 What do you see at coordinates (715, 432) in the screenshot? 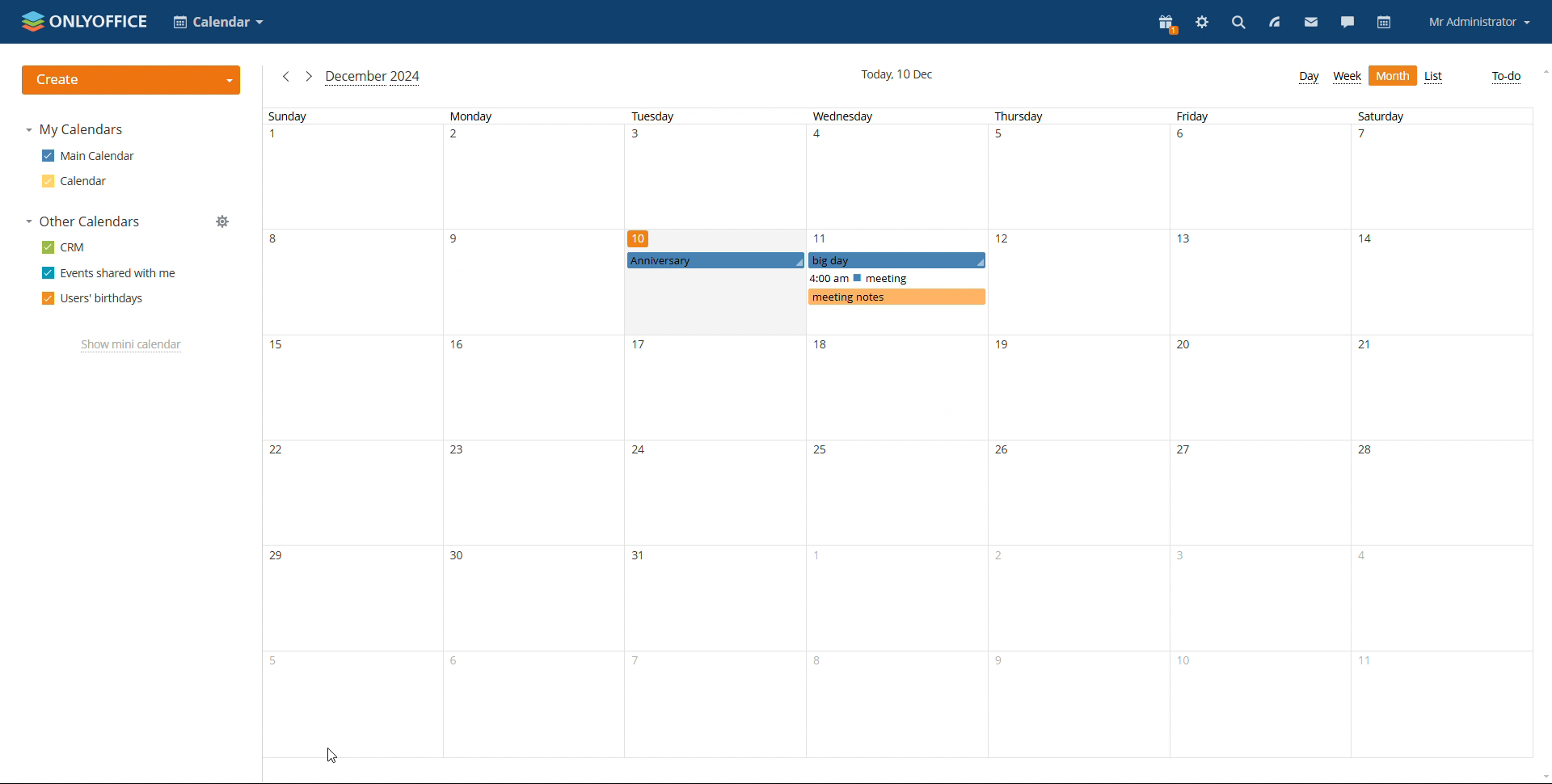
I see `tuesday` at bounding box center [715, 432].